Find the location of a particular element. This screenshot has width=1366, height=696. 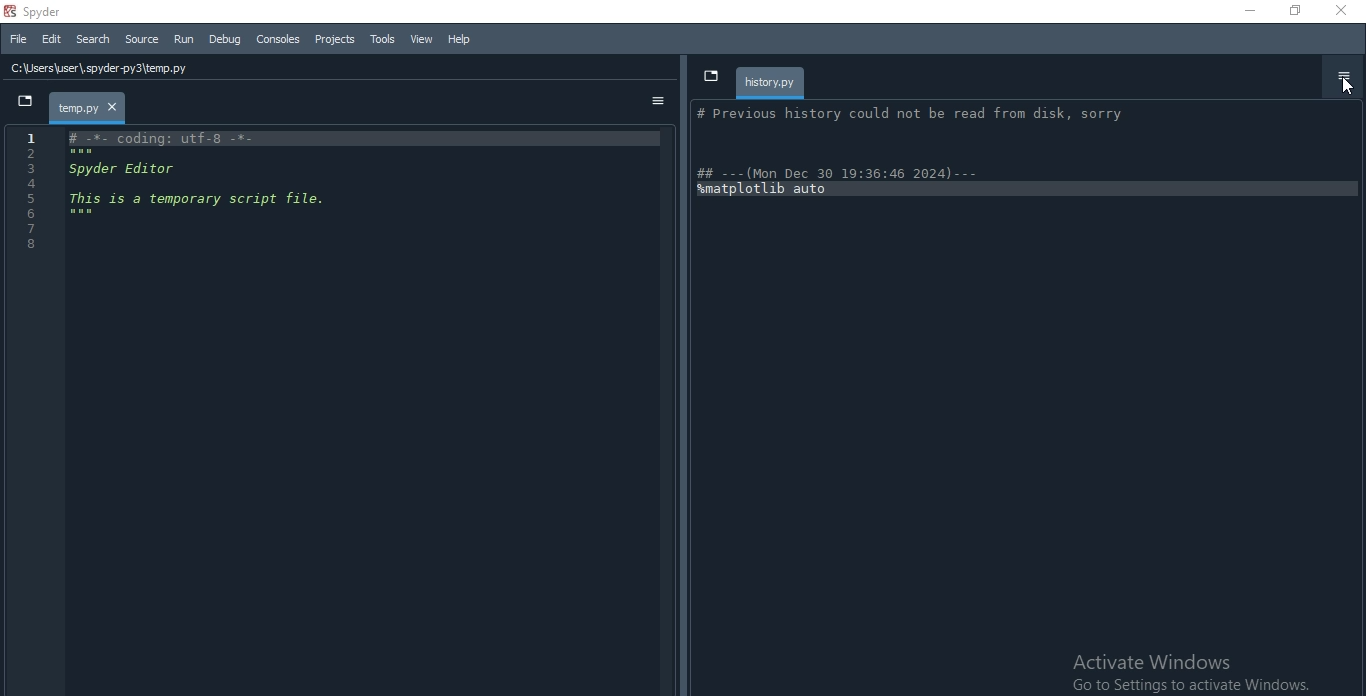

Search is located at coordinates (95, 39).